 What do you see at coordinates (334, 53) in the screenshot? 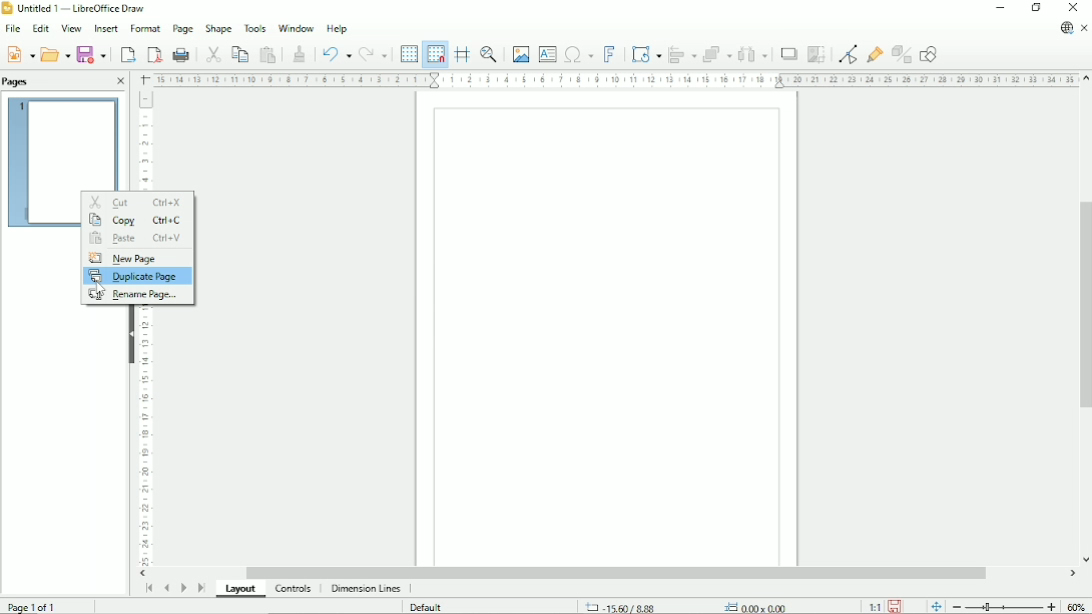
I see `Undo` at bounding box center [334, 53].